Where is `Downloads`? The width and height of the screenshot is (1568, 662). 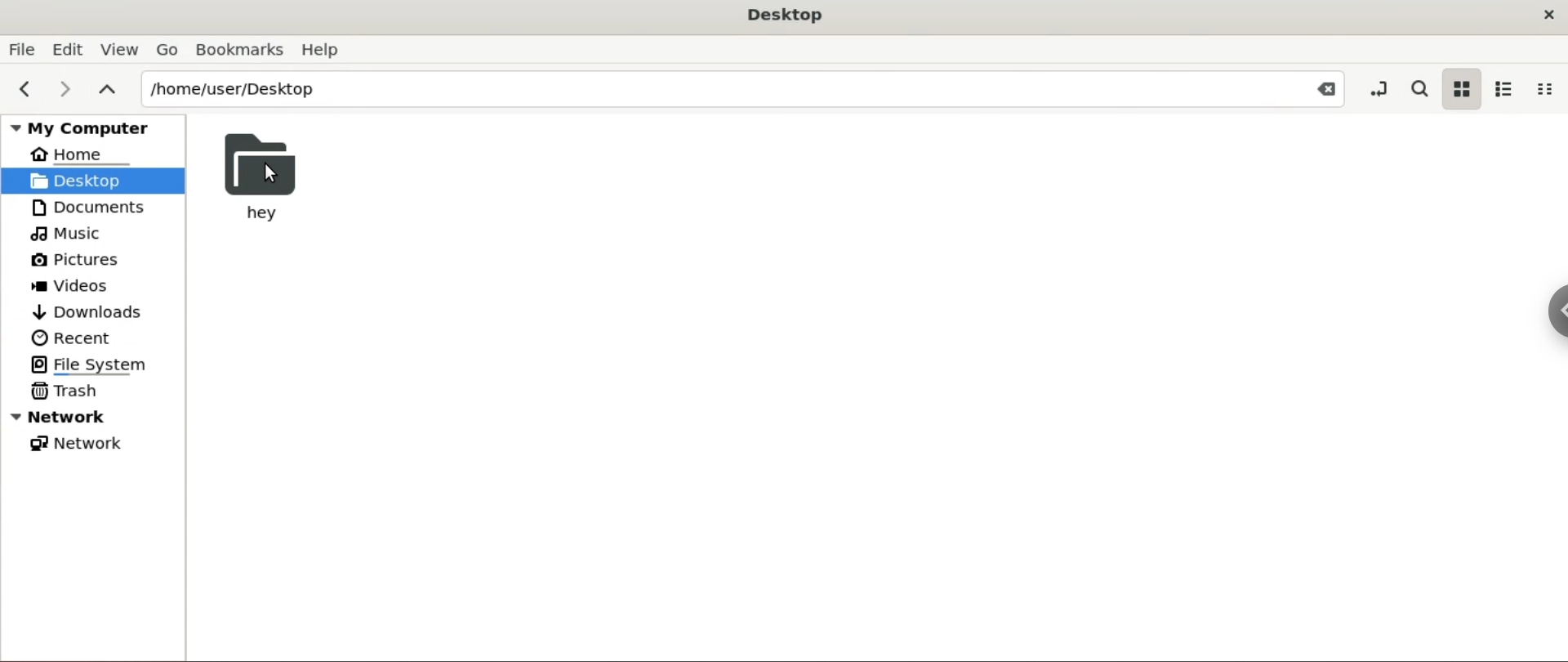
Downloads is located at coordinates (88, 311).